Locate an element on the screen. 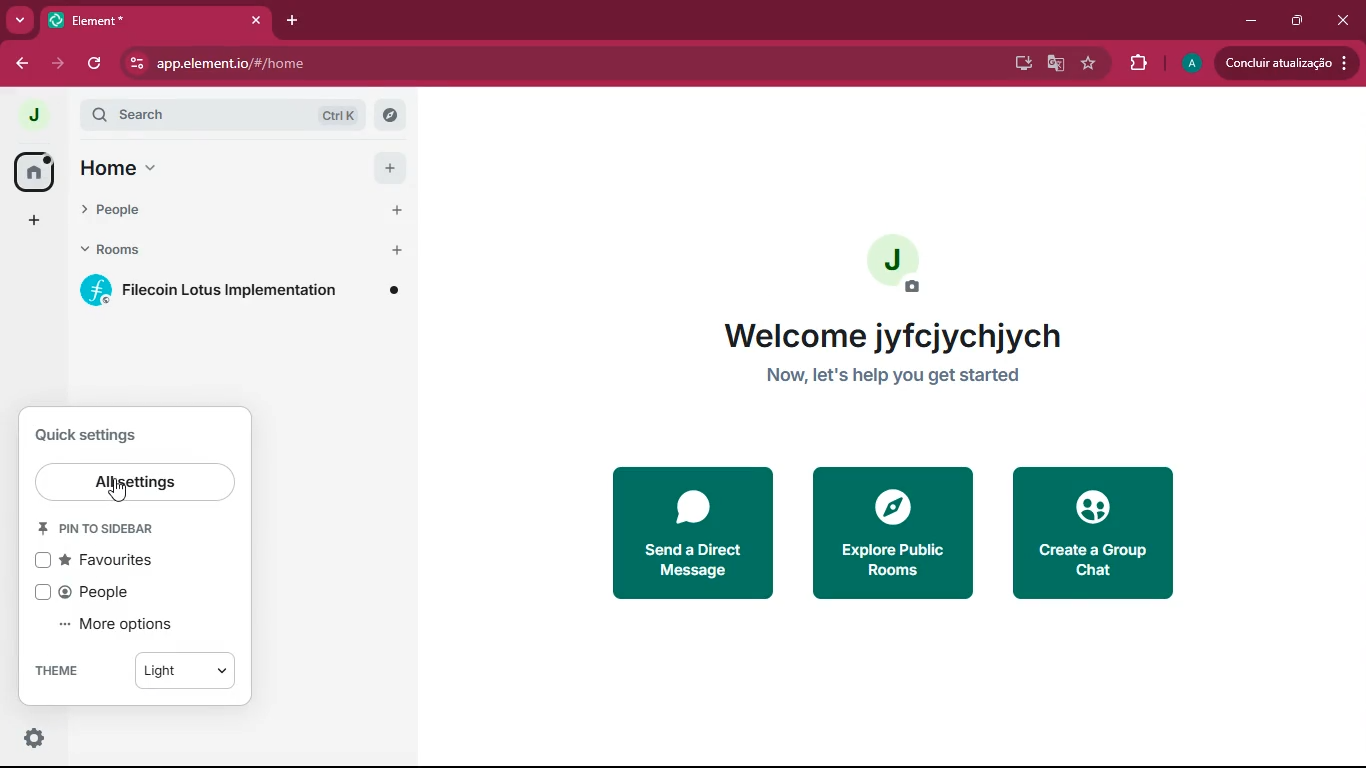 The width and height of the screenshot is (1366, 768). close tab is located at coordinates (256, 21).